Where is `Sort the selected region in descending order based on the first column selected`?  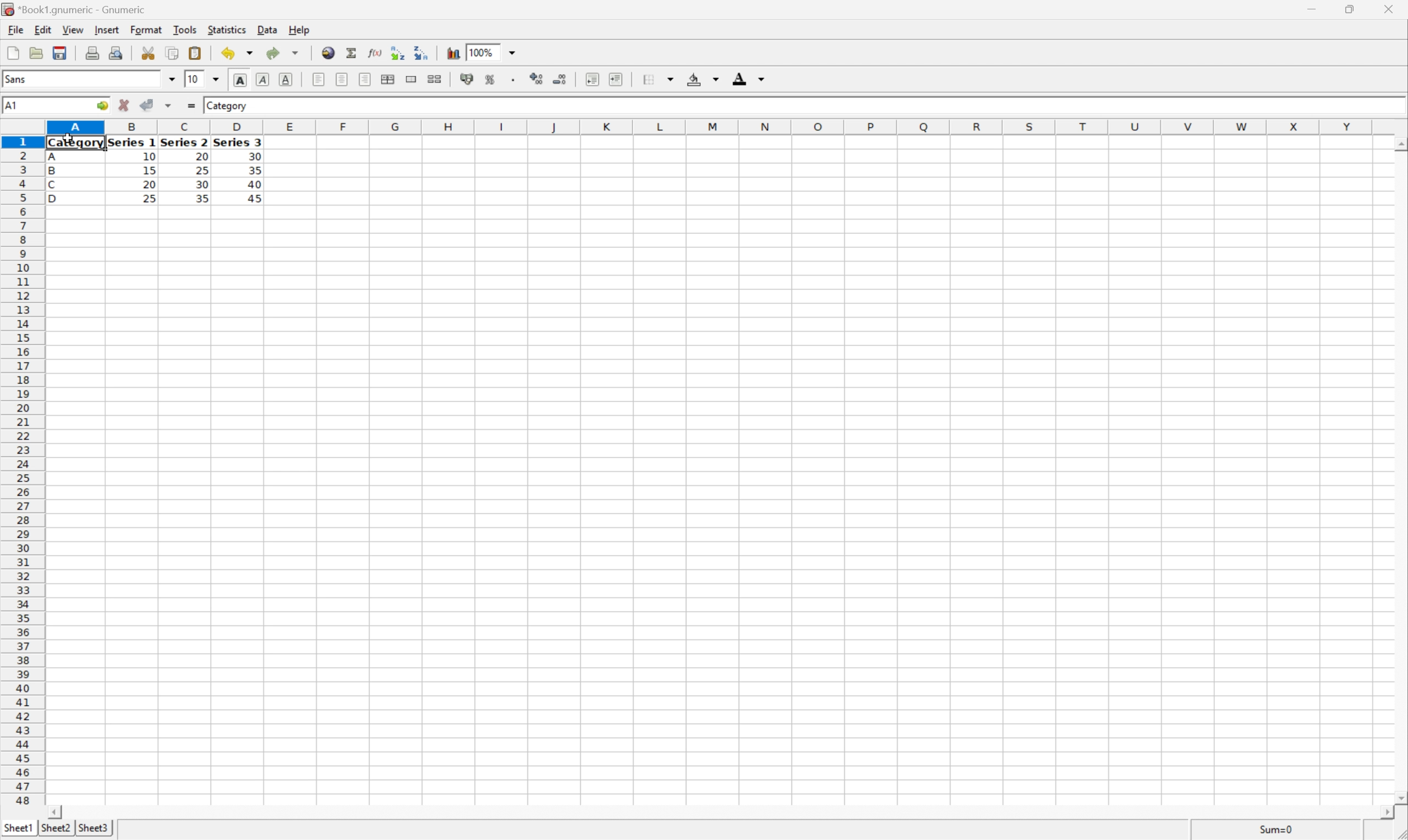
Sort the selected region in descending order based on the first column selected is located at coordinates (420, 52).